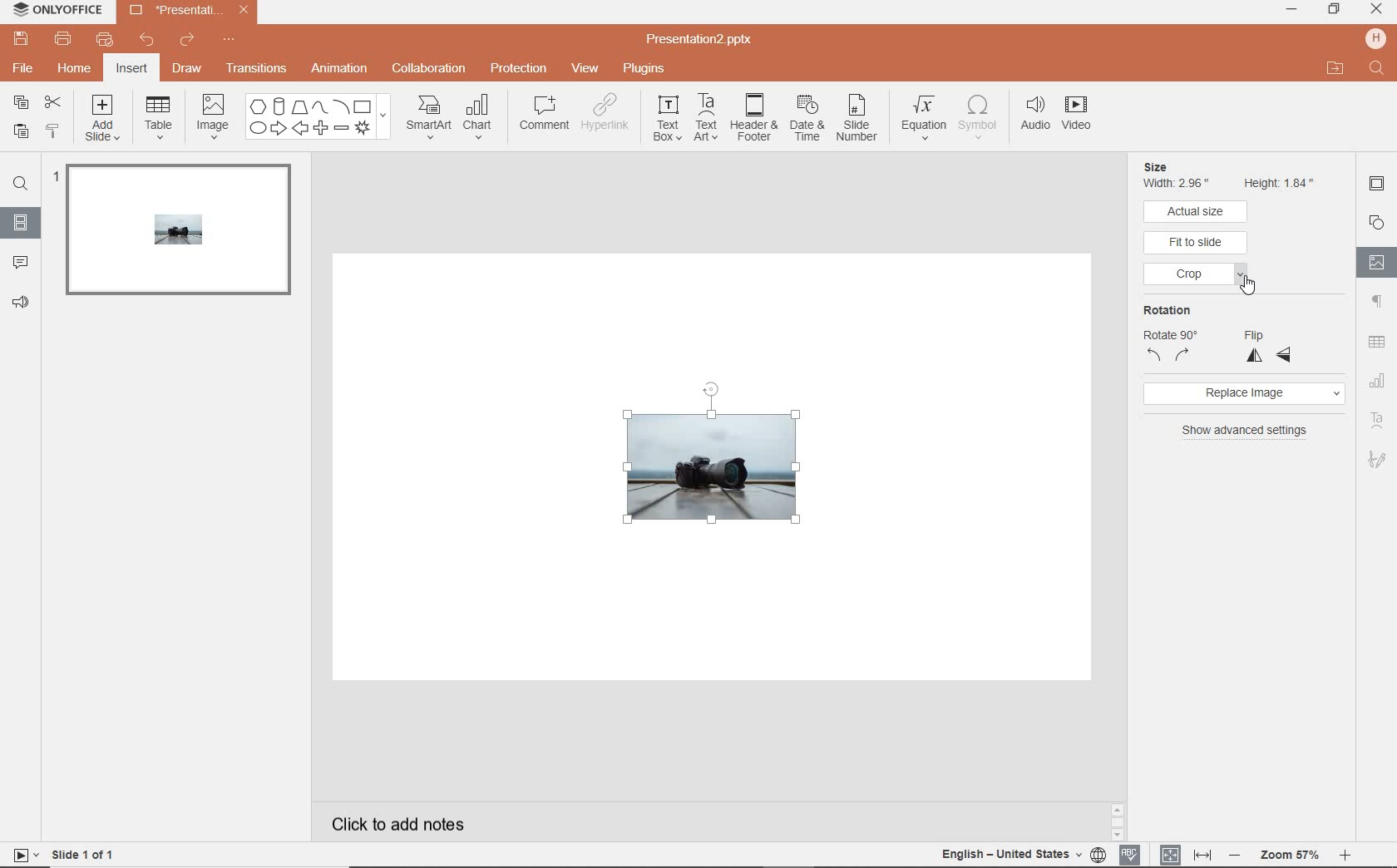 The width and height of the screenshot is (1397, 868). What do you see at coordinates (667, 121) in the screenshot?
I see `text box` at bounding box center [667, 121].